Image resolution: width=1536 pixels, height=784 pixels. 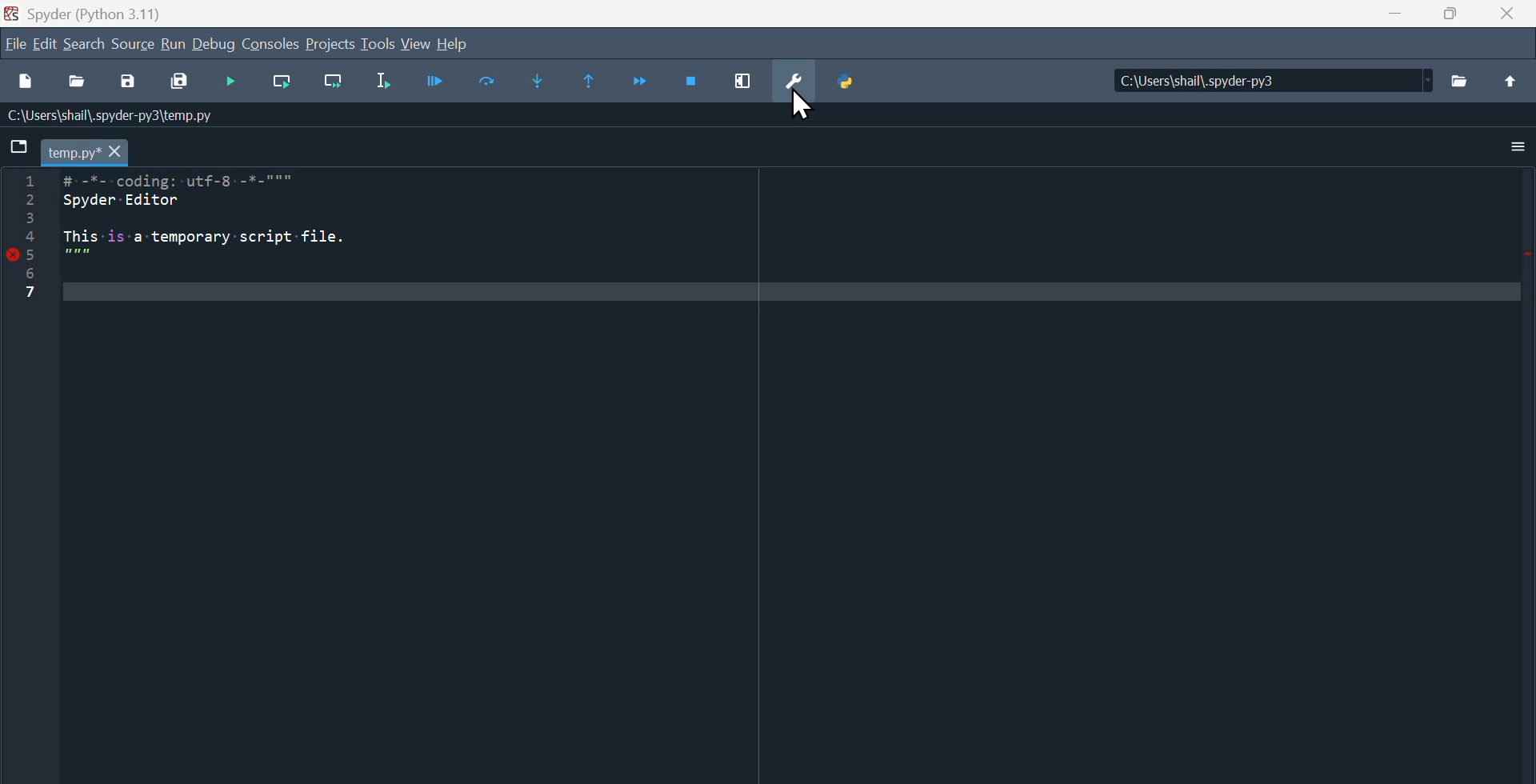 I want to click on Edit, so click(x=43, y=46).